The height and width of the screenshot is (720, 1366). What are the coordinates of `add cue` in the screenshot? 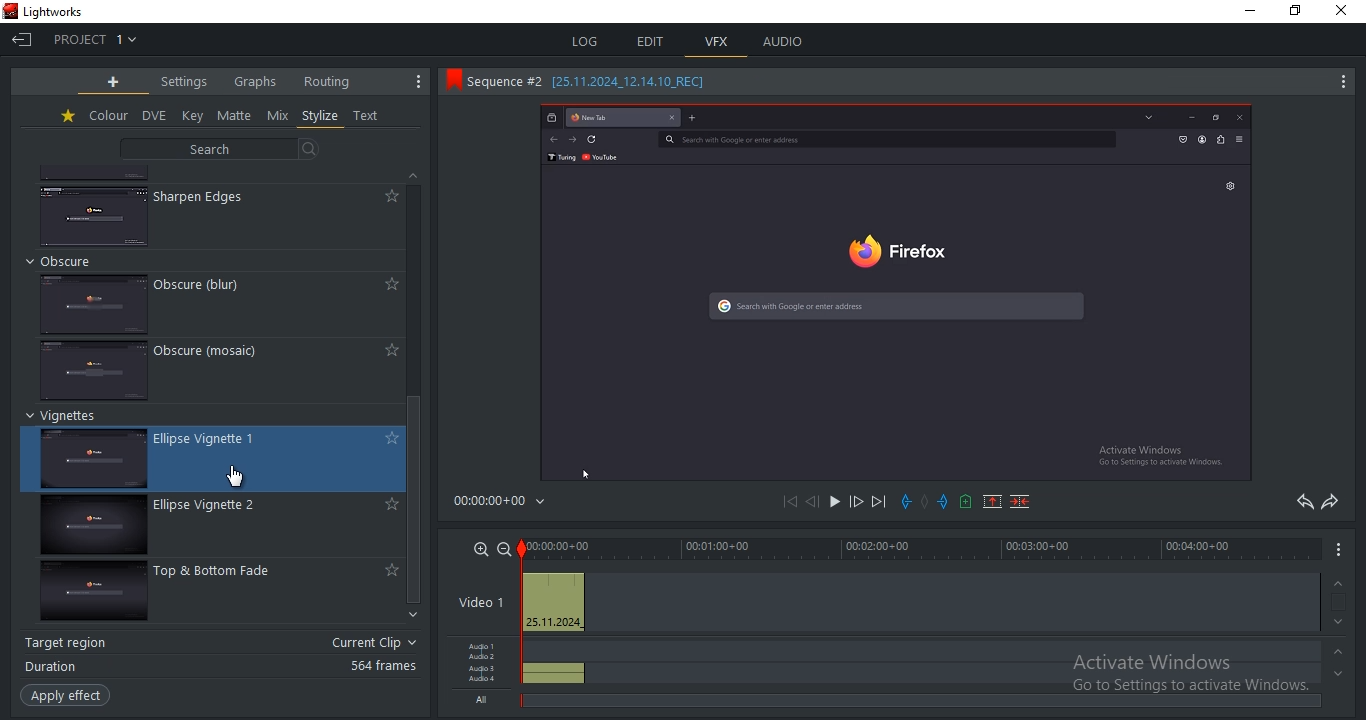 It's located at (965, 502).